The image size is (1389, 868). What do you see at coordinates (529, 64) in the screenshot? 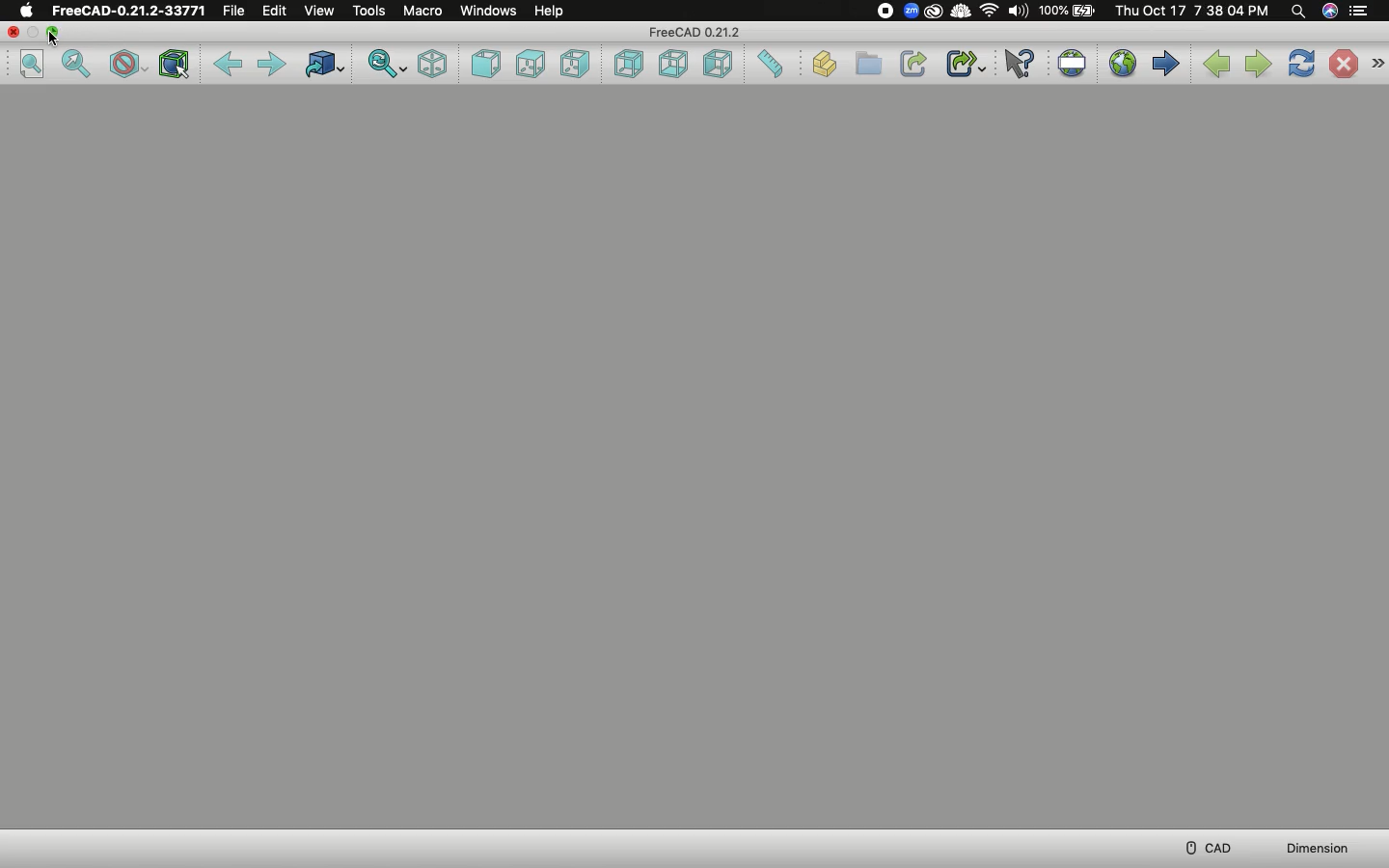
I see `Top` at bounding box center [529, 64].